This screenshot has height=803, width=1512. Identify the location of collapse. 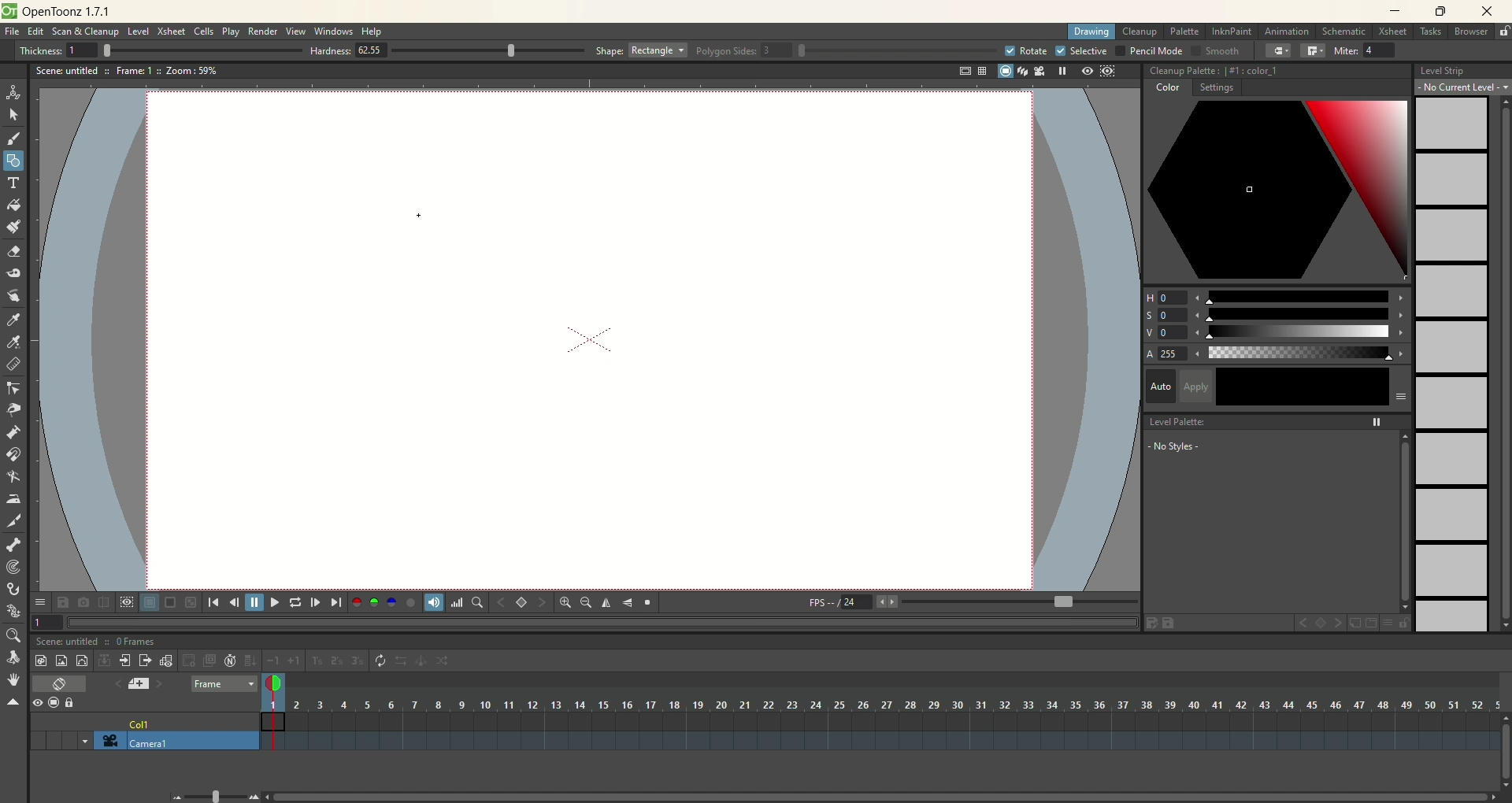
(104, 660).